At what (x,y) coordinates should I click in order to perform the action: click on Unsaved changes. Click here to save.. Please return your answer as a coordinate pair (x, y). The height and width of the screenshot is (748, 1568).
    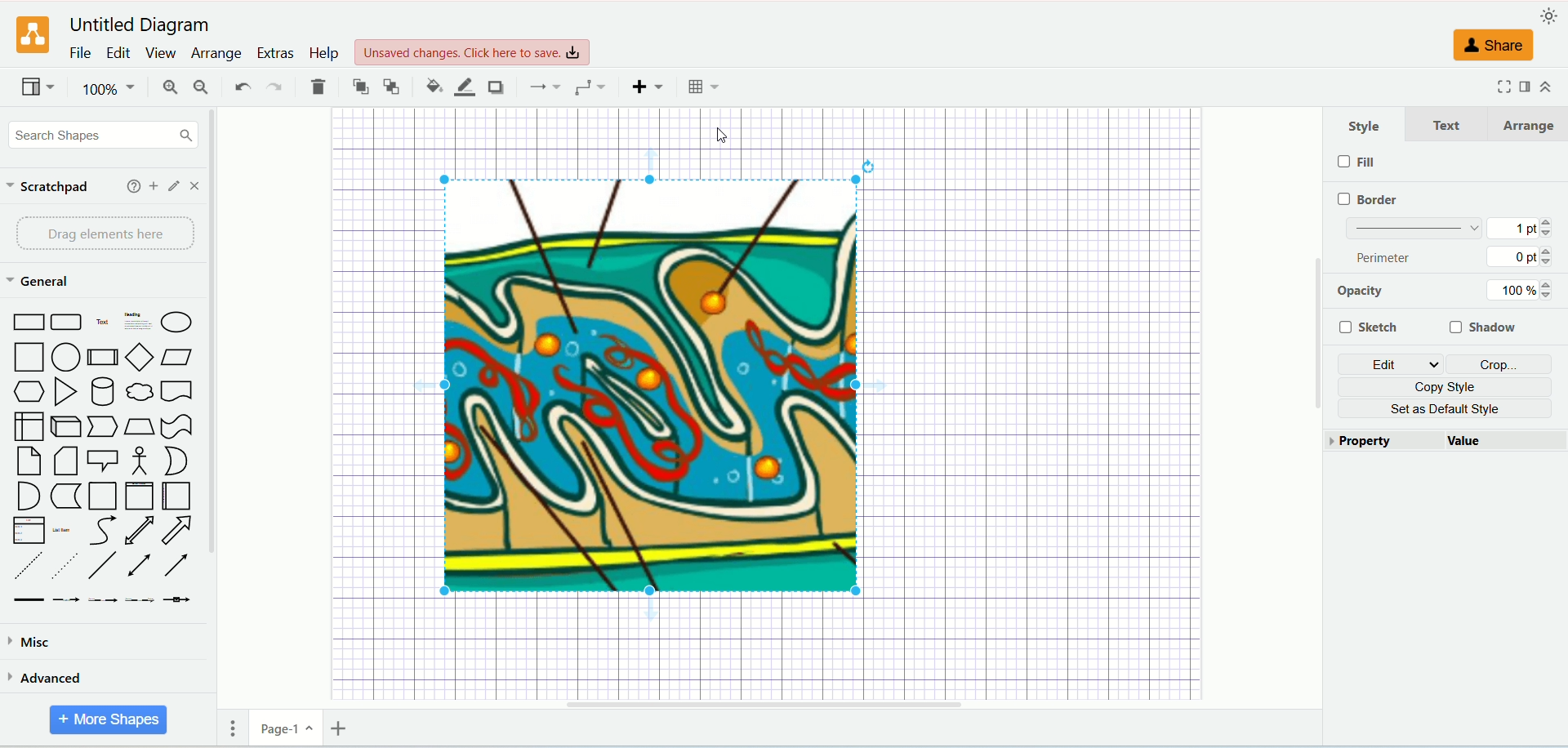
    Looking at the image, I should click on (470, 51).